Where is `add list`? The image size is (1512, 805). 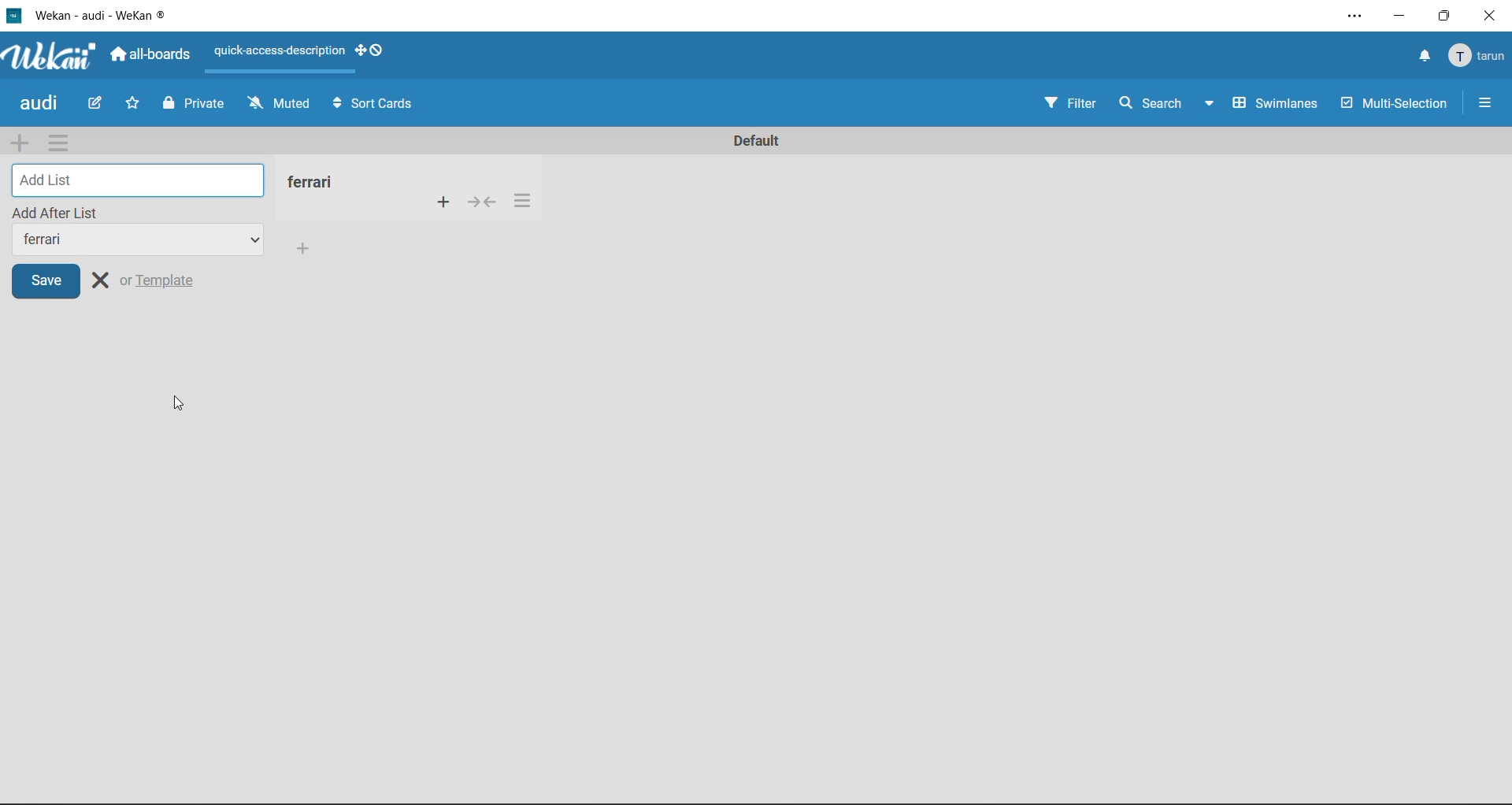
add list is located at coordinates (143, 183).